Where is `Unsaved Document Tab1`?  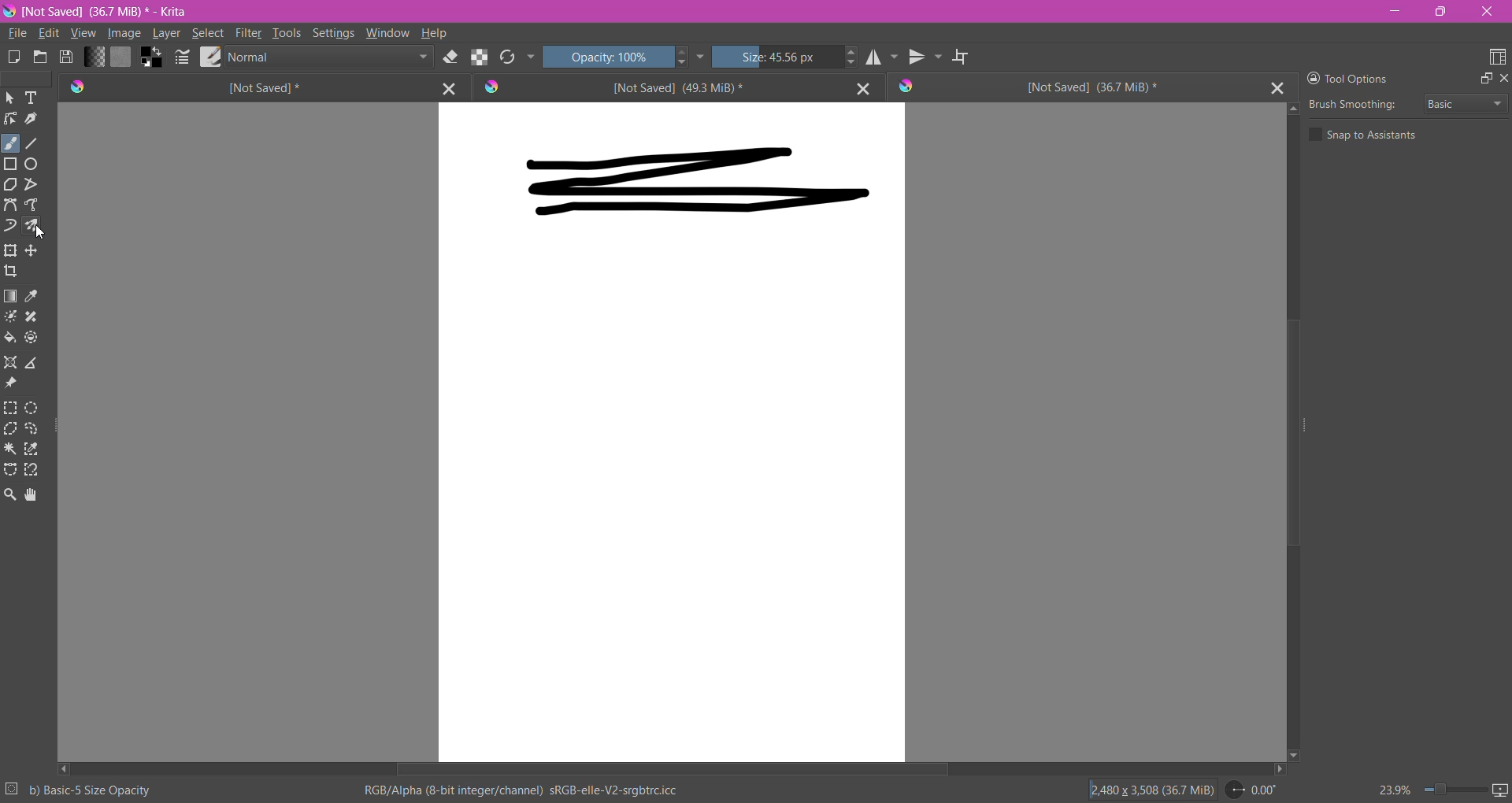
Unsaved Document Tab1 is located at coordinates (236, 87).